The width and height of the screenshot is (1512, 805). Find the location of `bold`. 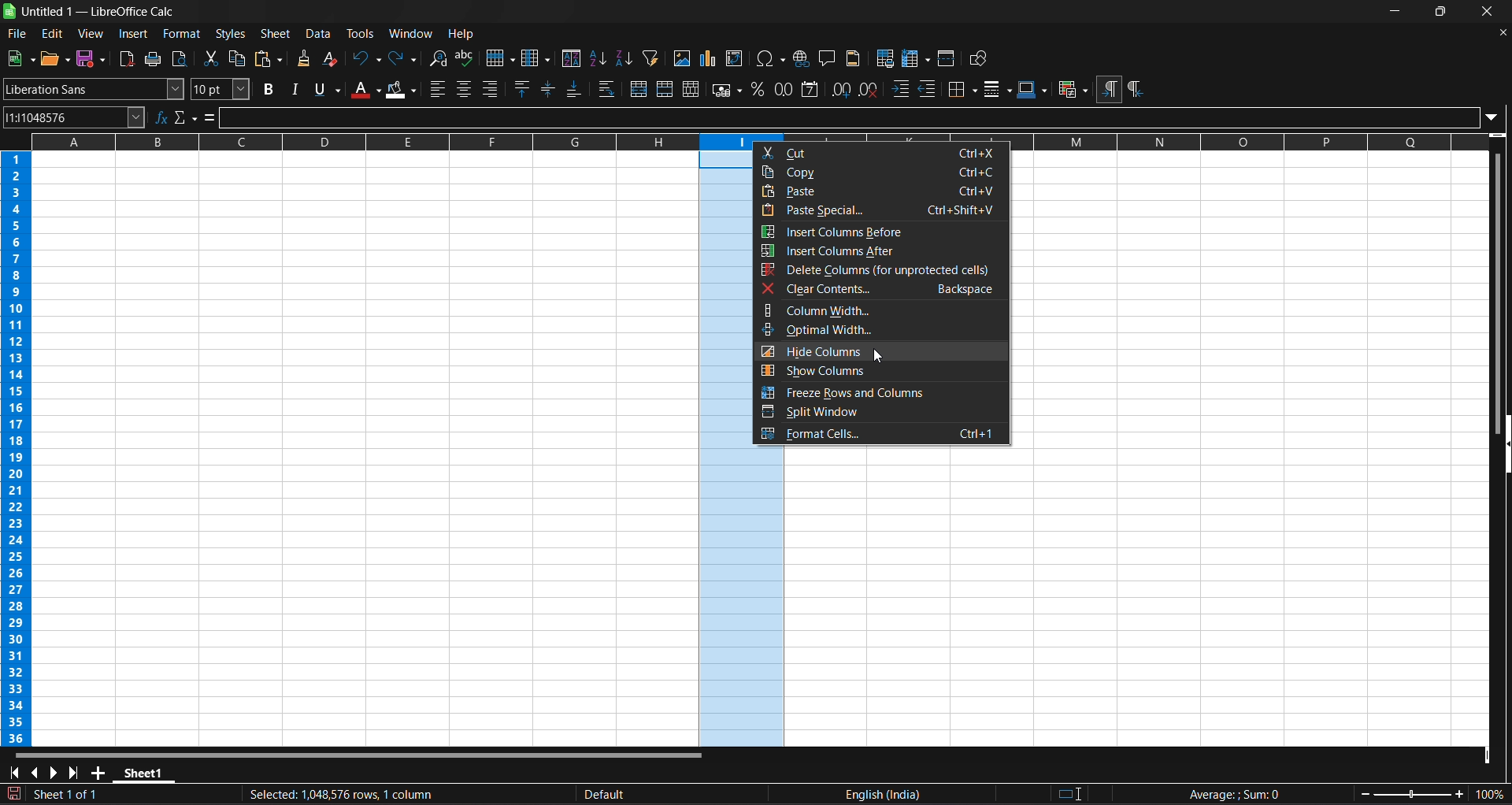

bold is located at coordinates (269, 89).